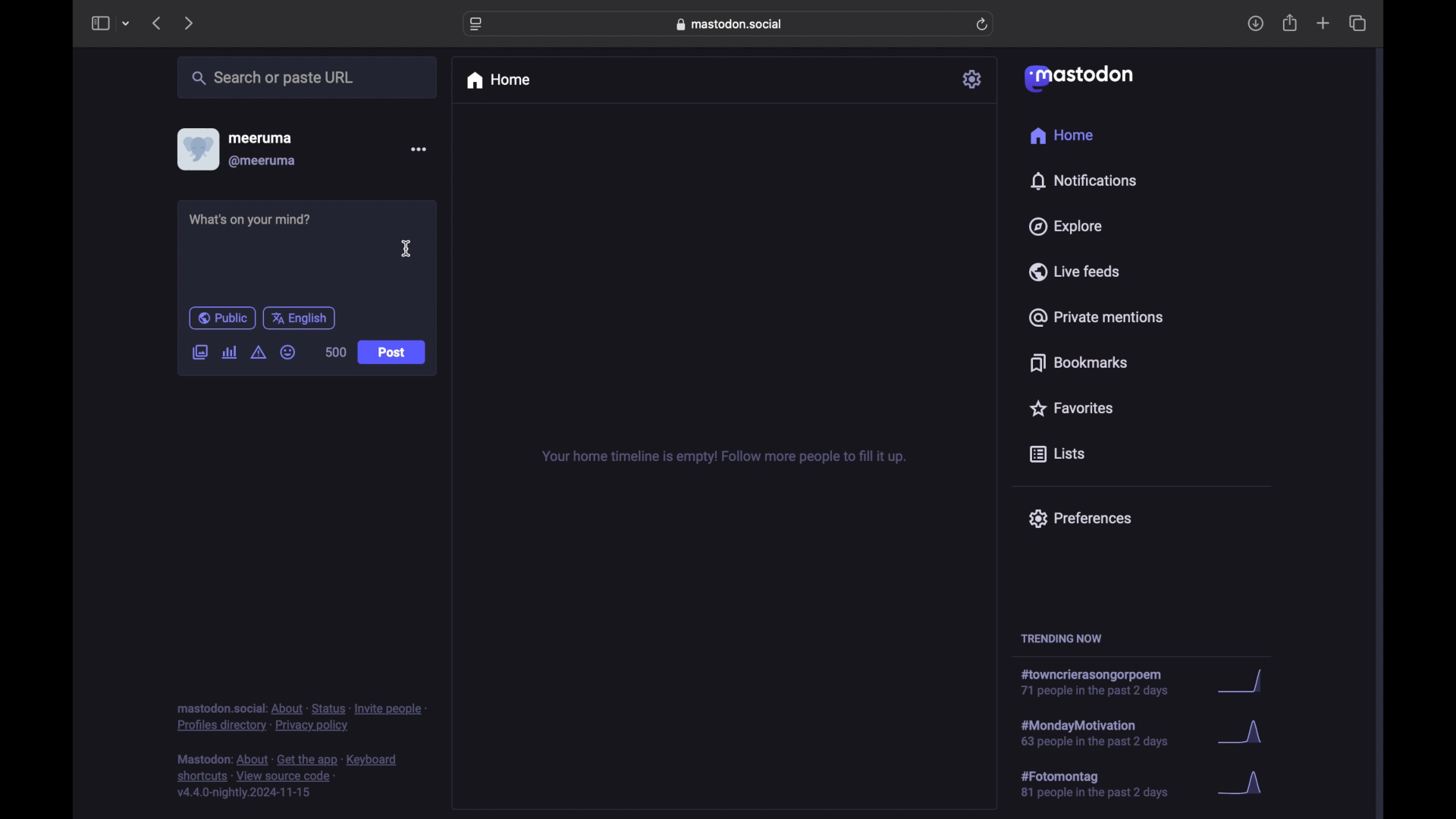 The height and width of the screenshot is (819, 1456). What do you see at coordinates (300, 318) in the screenshot?
I see `english` at bounding box center [300, 318].